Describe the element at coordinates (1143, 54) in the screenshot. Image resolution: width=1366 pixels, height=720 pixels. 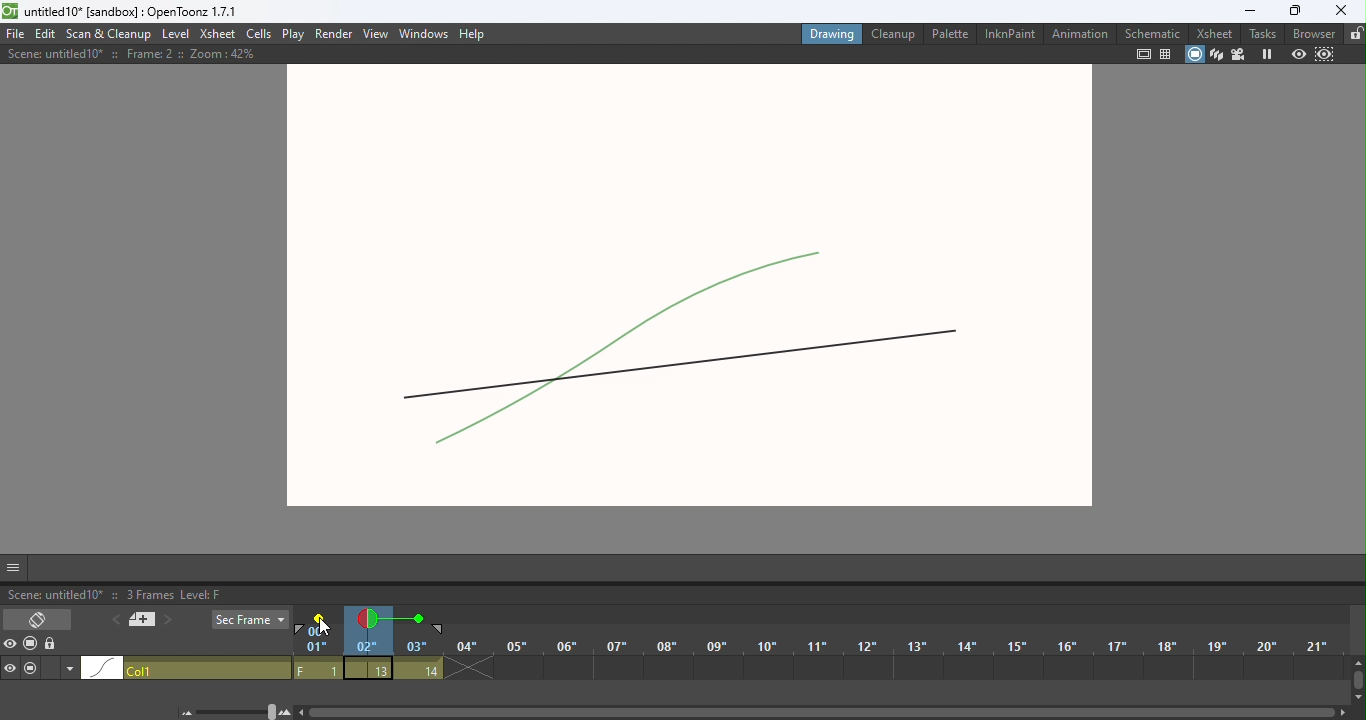
I see `safe area` at that location.